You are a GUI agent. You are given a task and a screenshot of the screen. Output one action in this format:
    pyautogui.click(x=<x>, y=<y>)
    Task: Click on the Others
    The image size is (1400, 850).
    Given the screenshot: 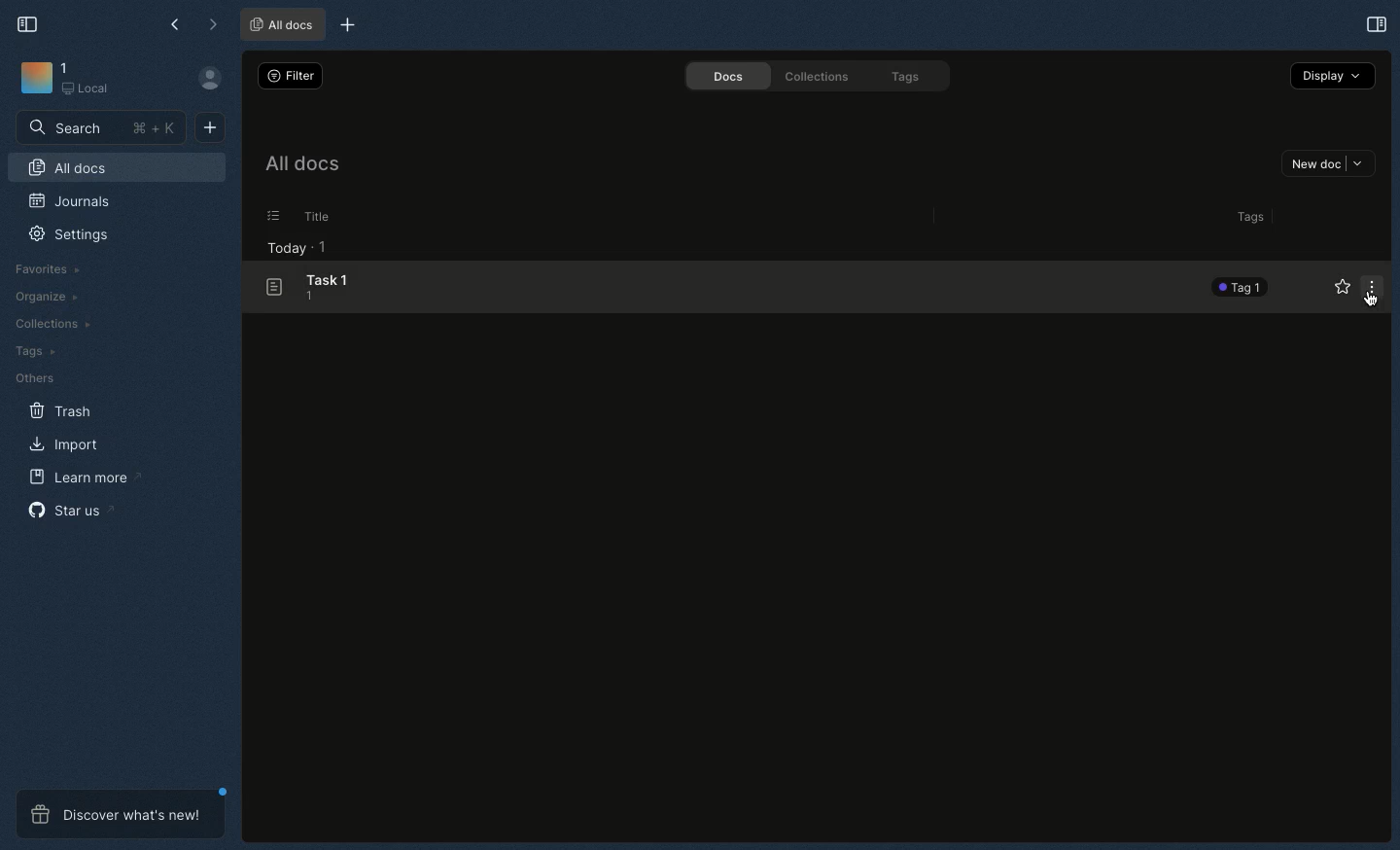 What is the action you would take?
    pyautogui.click(x=34, y=376)
    